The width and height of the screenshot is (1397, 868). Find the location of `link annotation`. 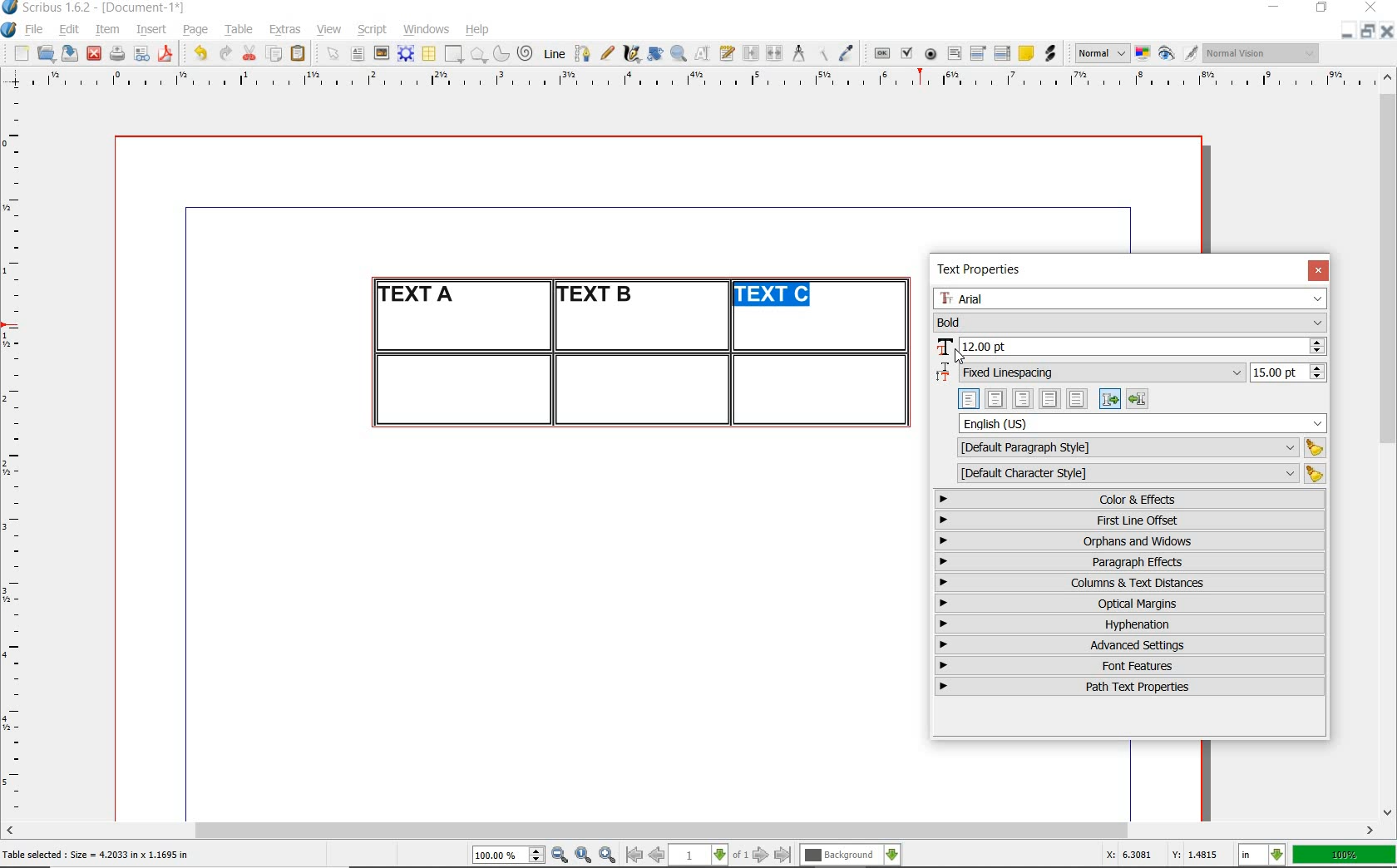

link annotation is located at coordinates (1052, 53).